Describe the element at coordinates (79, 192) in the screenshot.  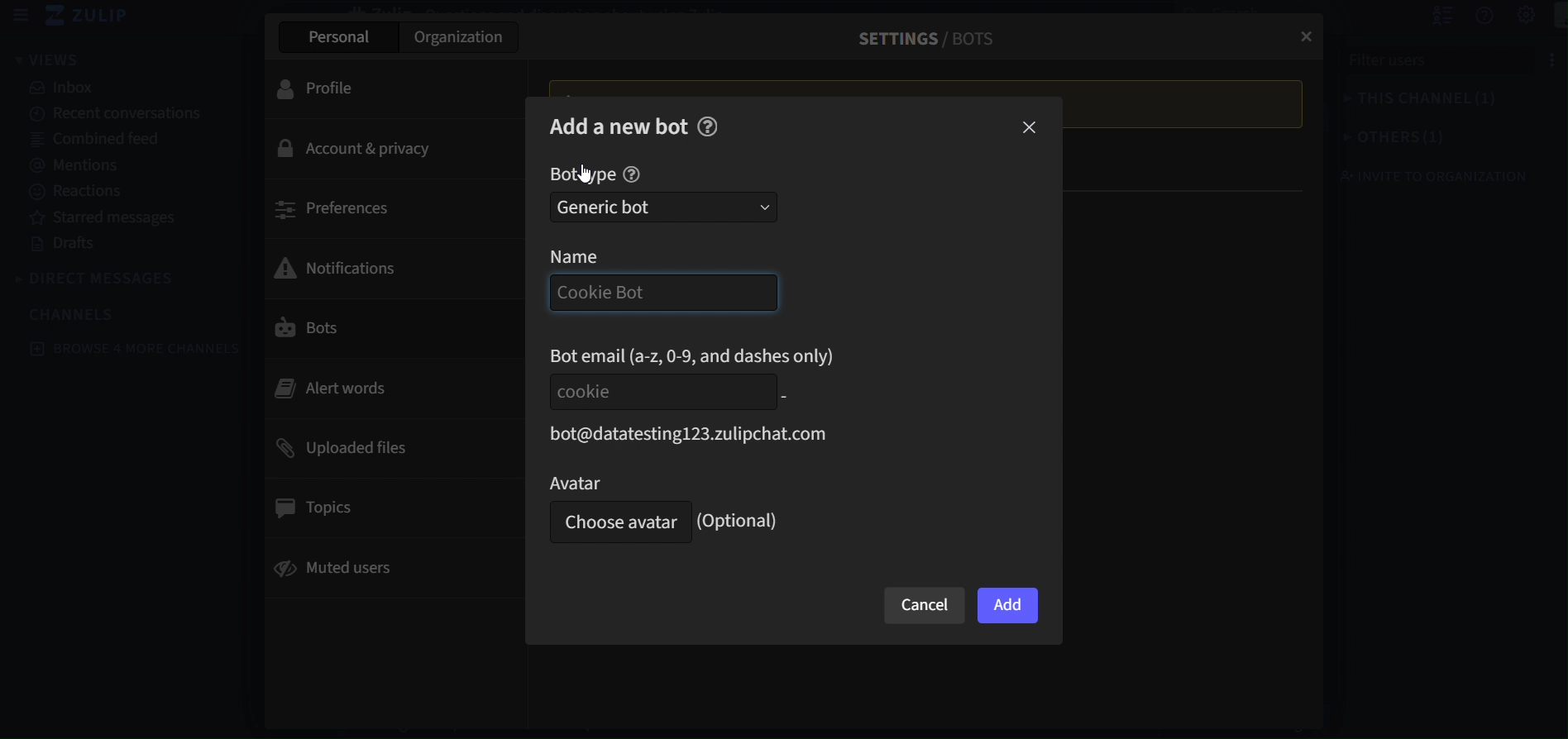
I see `reactions` at that location.